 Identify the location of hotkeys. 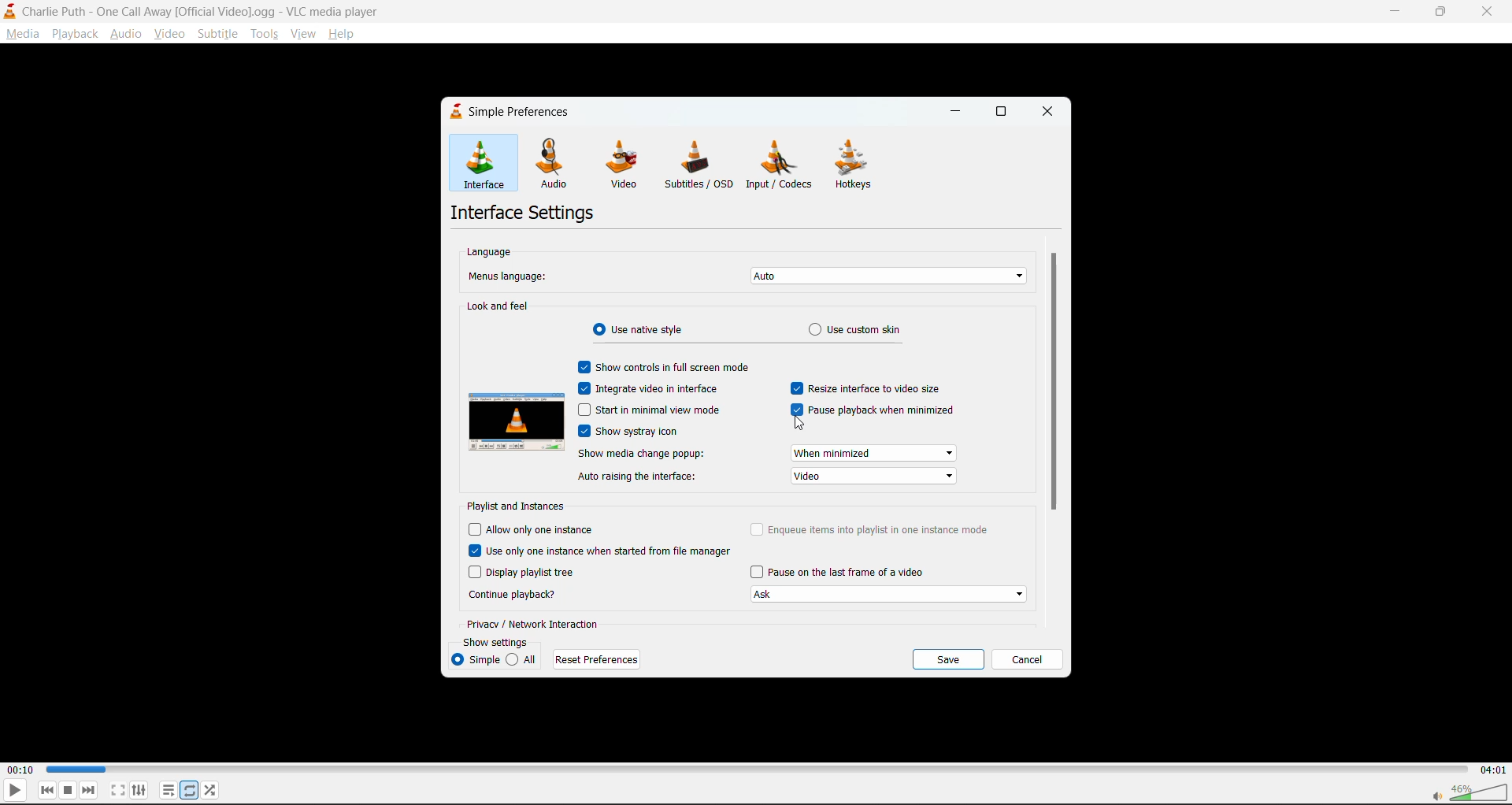
(861, 166).